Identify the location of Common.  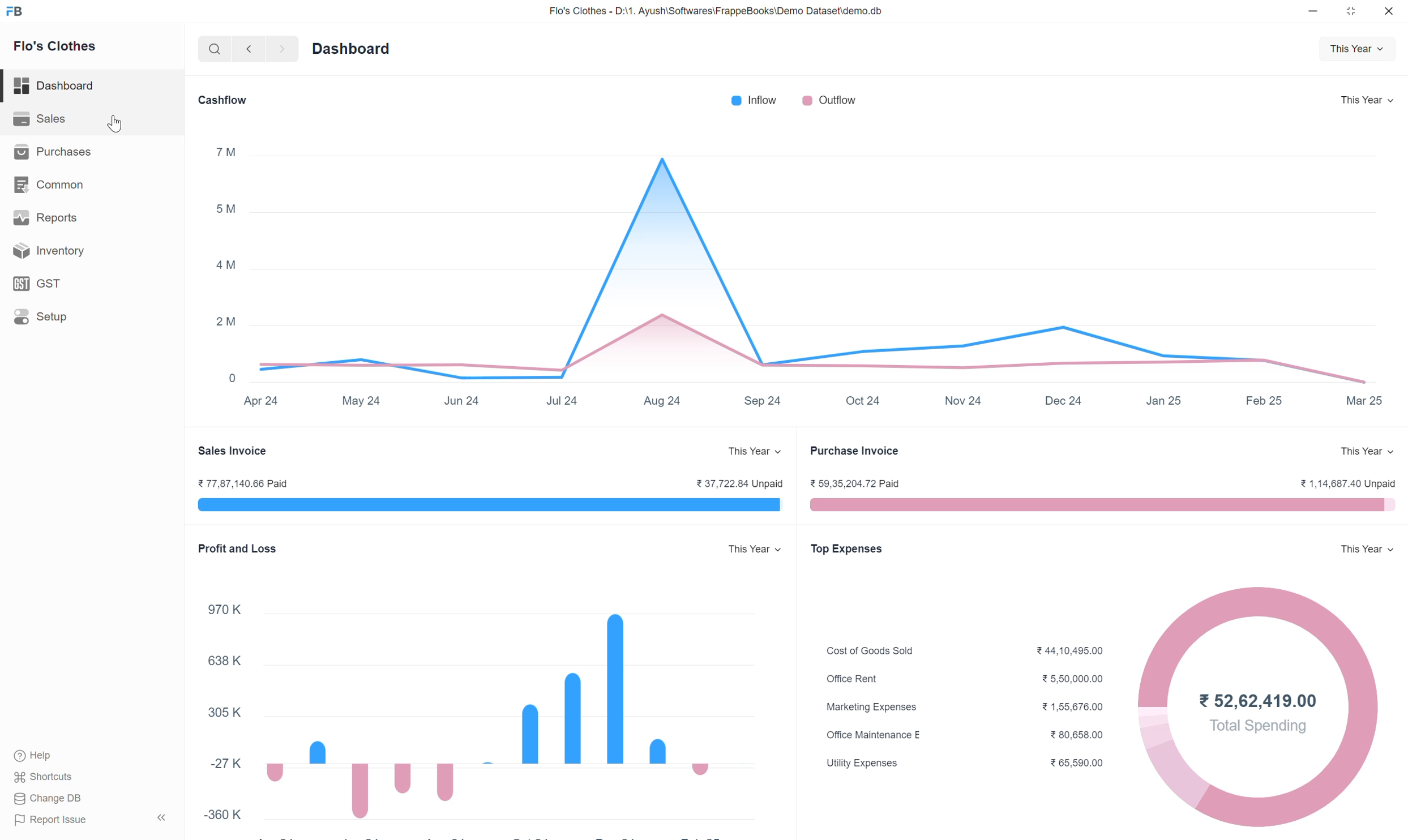
(46, 185).